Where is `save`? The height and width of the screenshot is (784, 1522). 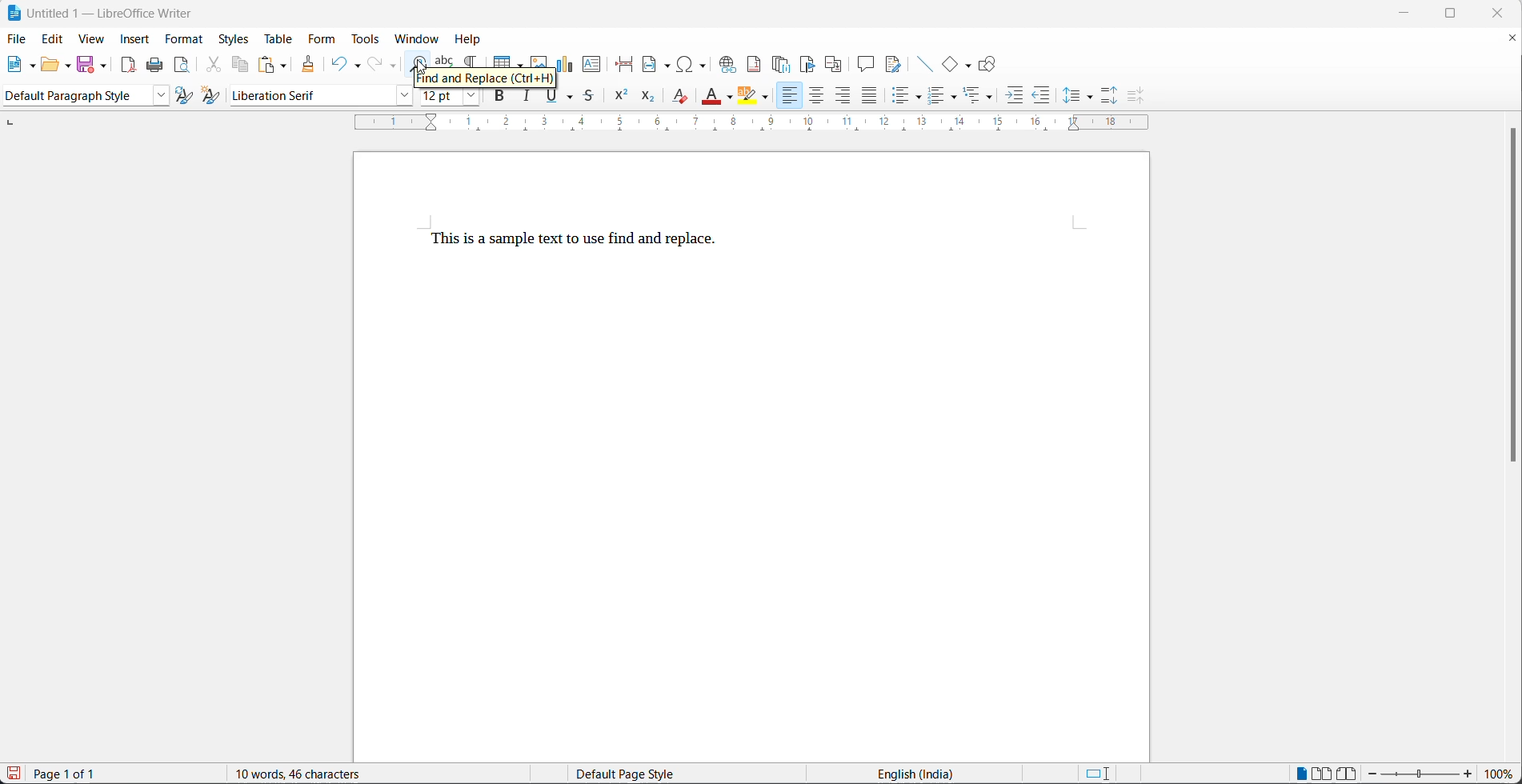
save is located at coordinates (86, 63).